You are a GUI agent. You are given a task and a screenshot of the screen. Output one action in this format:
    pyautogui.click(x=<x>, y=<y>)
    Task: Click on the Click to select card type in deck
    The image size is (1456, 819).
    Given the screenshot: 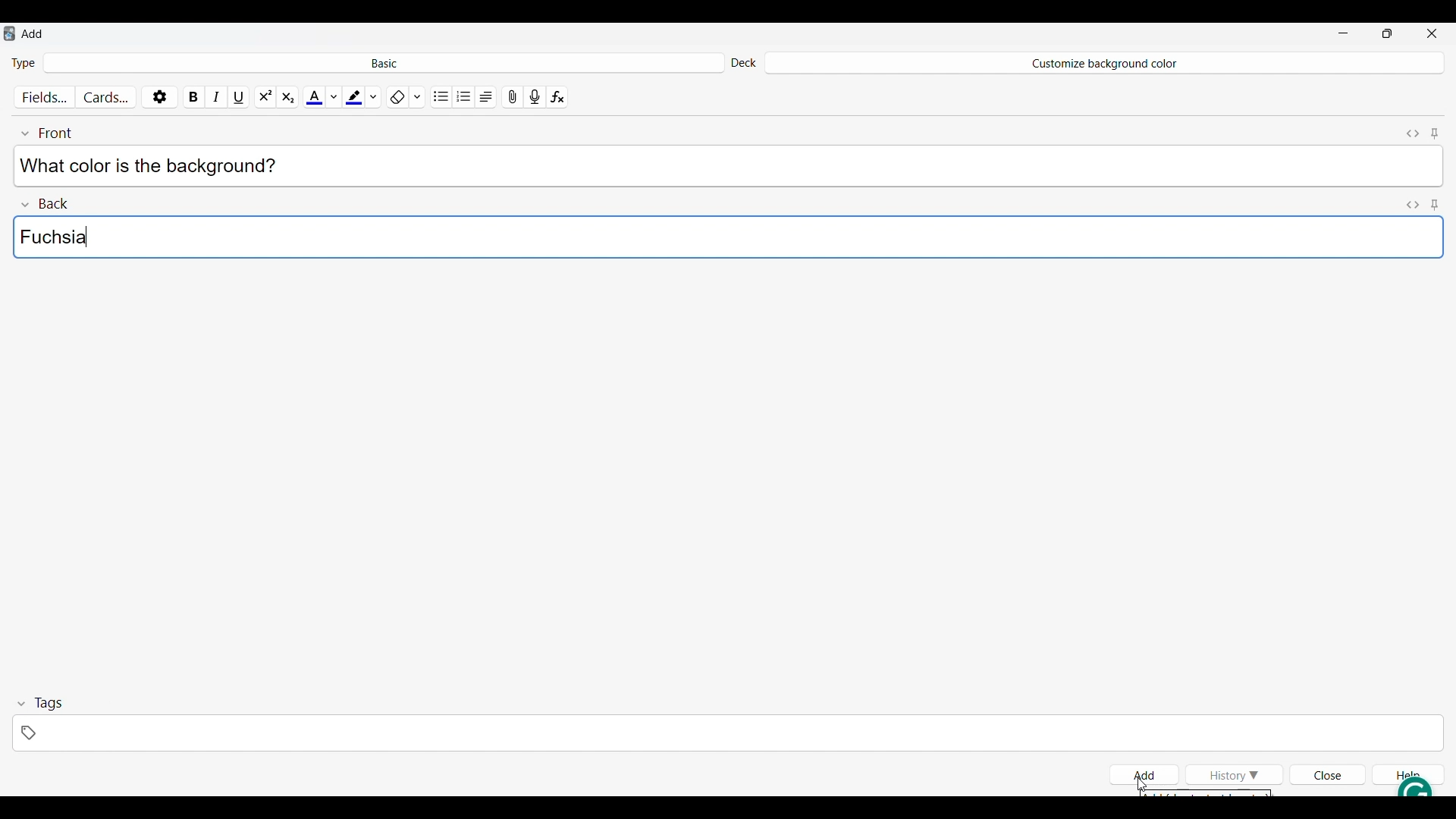 What is the action you would take?
    pyautogui.click(x=384, y=61)
    